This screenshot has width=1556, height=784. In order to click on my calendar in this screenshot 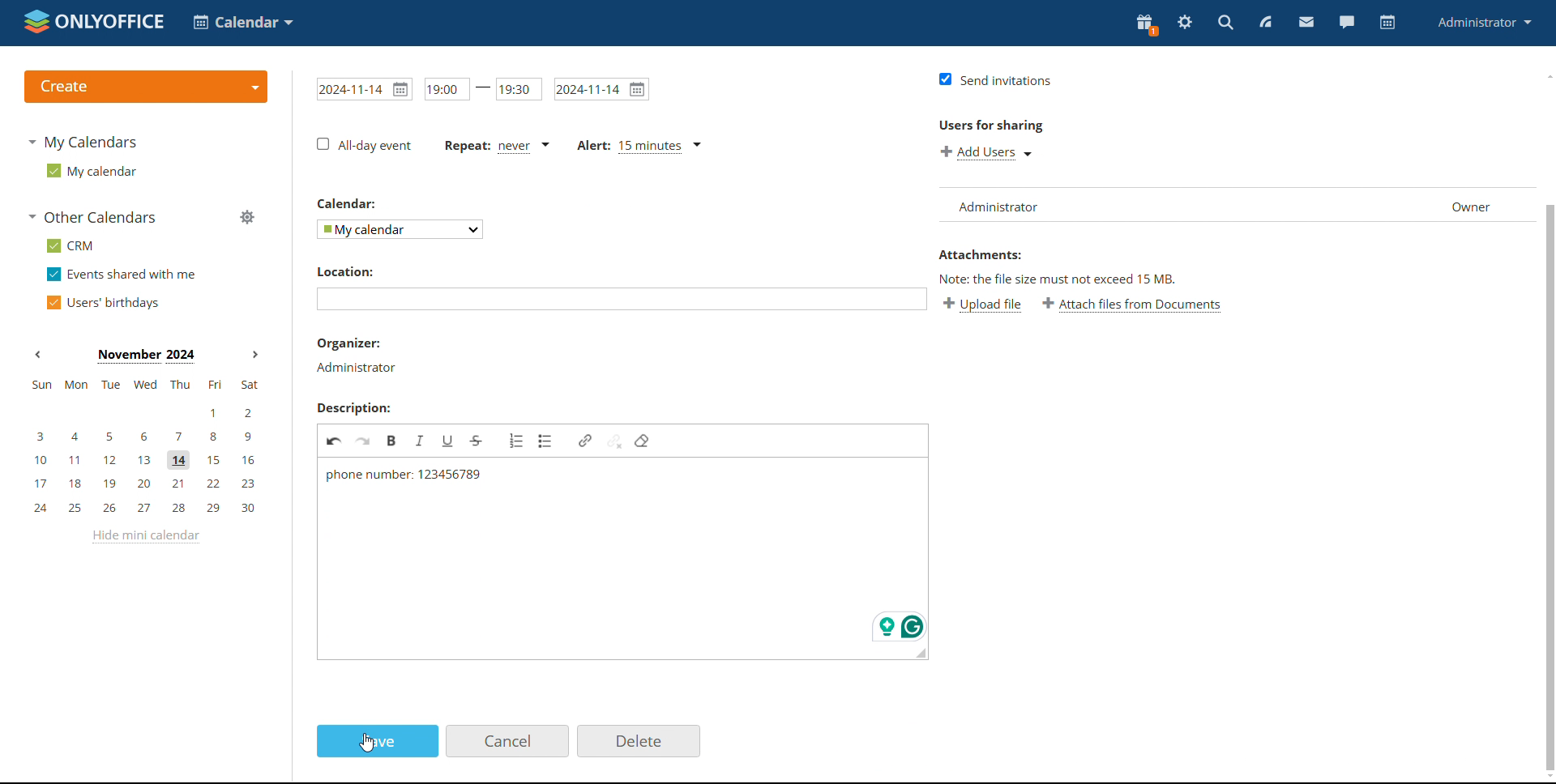, I will do `click(92, 170)`.